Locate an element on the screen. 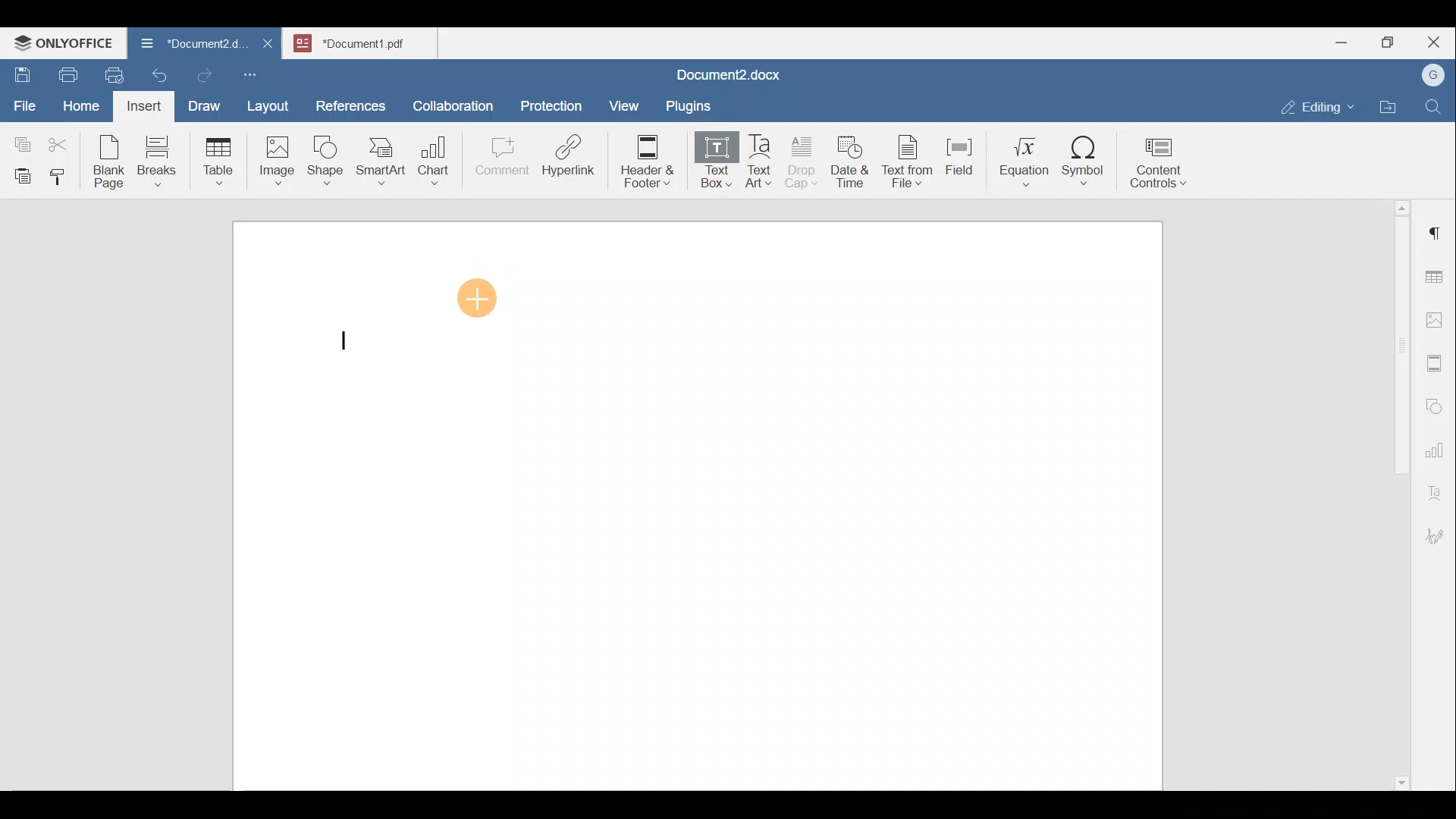  Editing mode is located at coordinates (1318, 104).